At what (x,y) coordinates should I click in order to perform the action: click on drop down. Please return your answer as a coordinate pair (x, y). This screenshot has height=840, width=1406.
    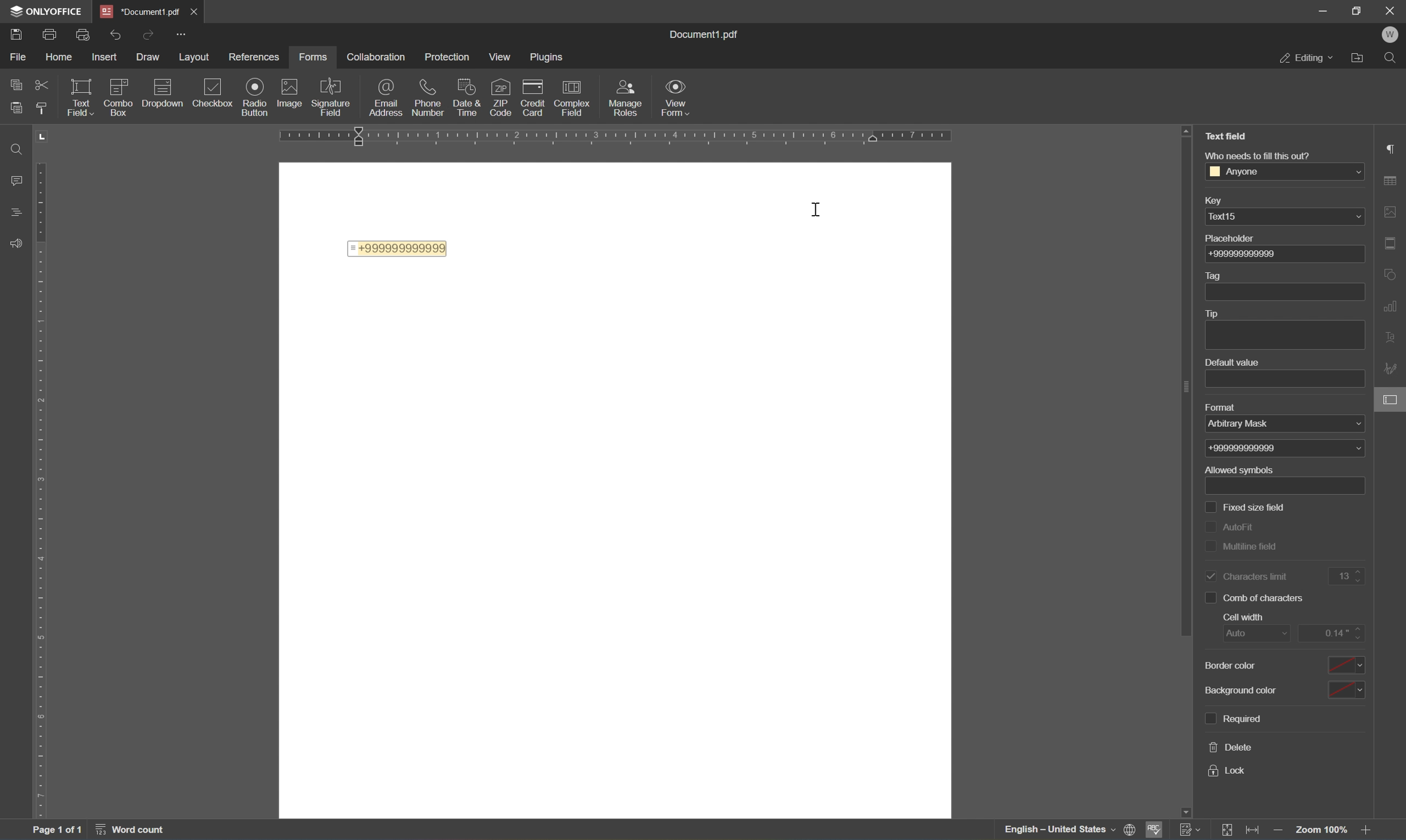
    Looking at the image, I should click on (1356, 216).